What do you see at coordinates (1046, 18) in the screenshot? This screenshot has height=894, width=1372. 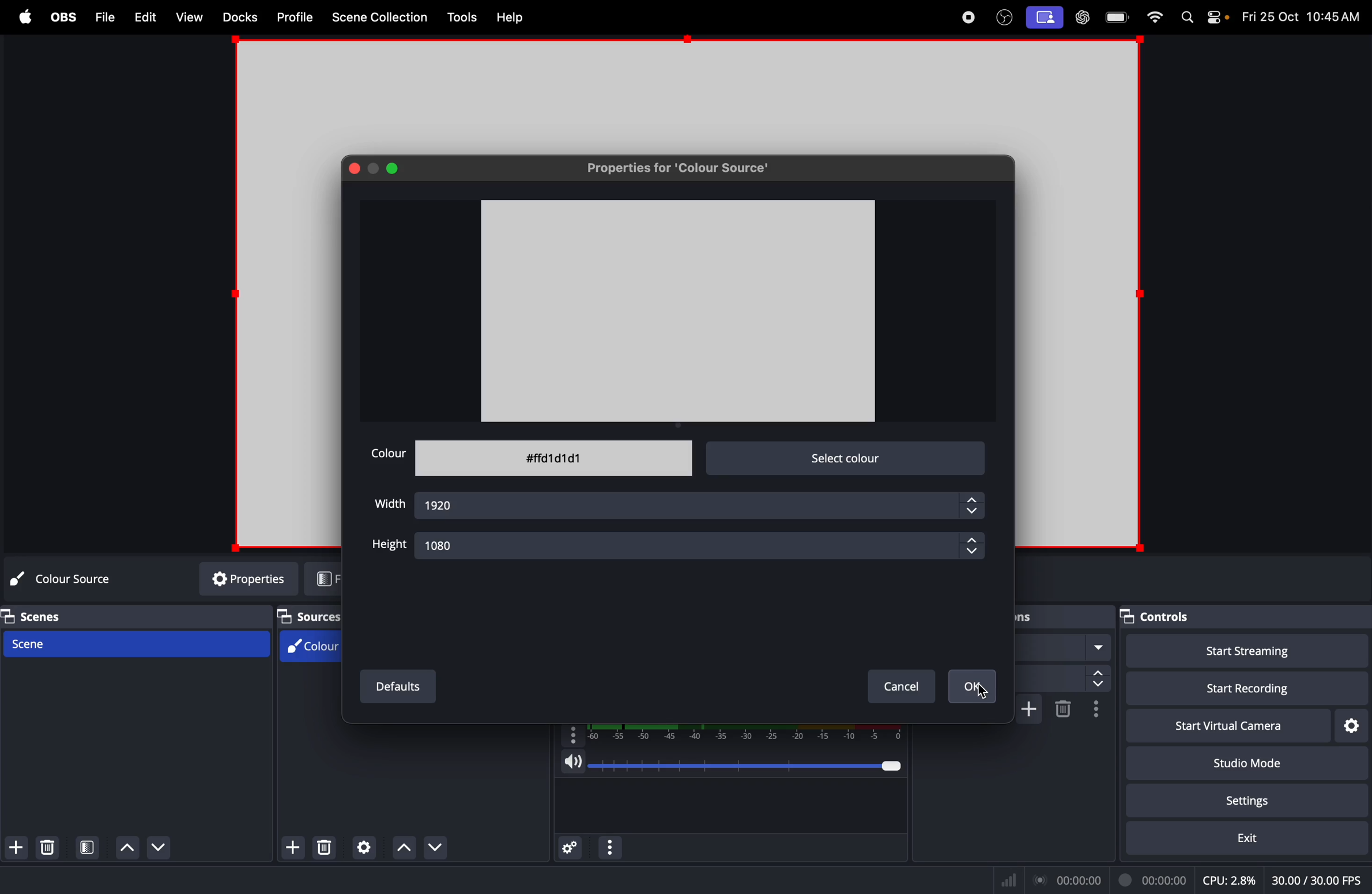 I see `screen record` at bounding box center [1046, 18].